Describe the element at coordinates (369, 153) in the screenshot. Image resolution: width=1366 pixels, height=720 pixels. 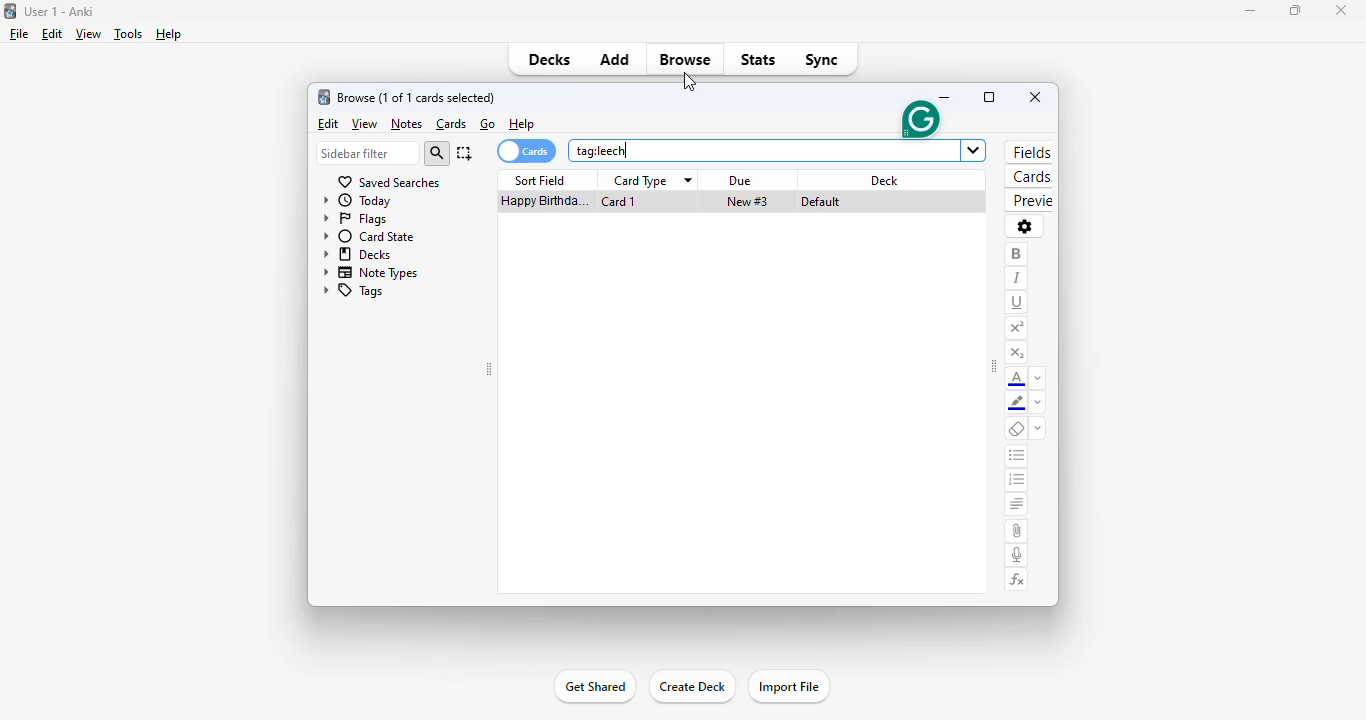
I see `sidebar filter` at that location.